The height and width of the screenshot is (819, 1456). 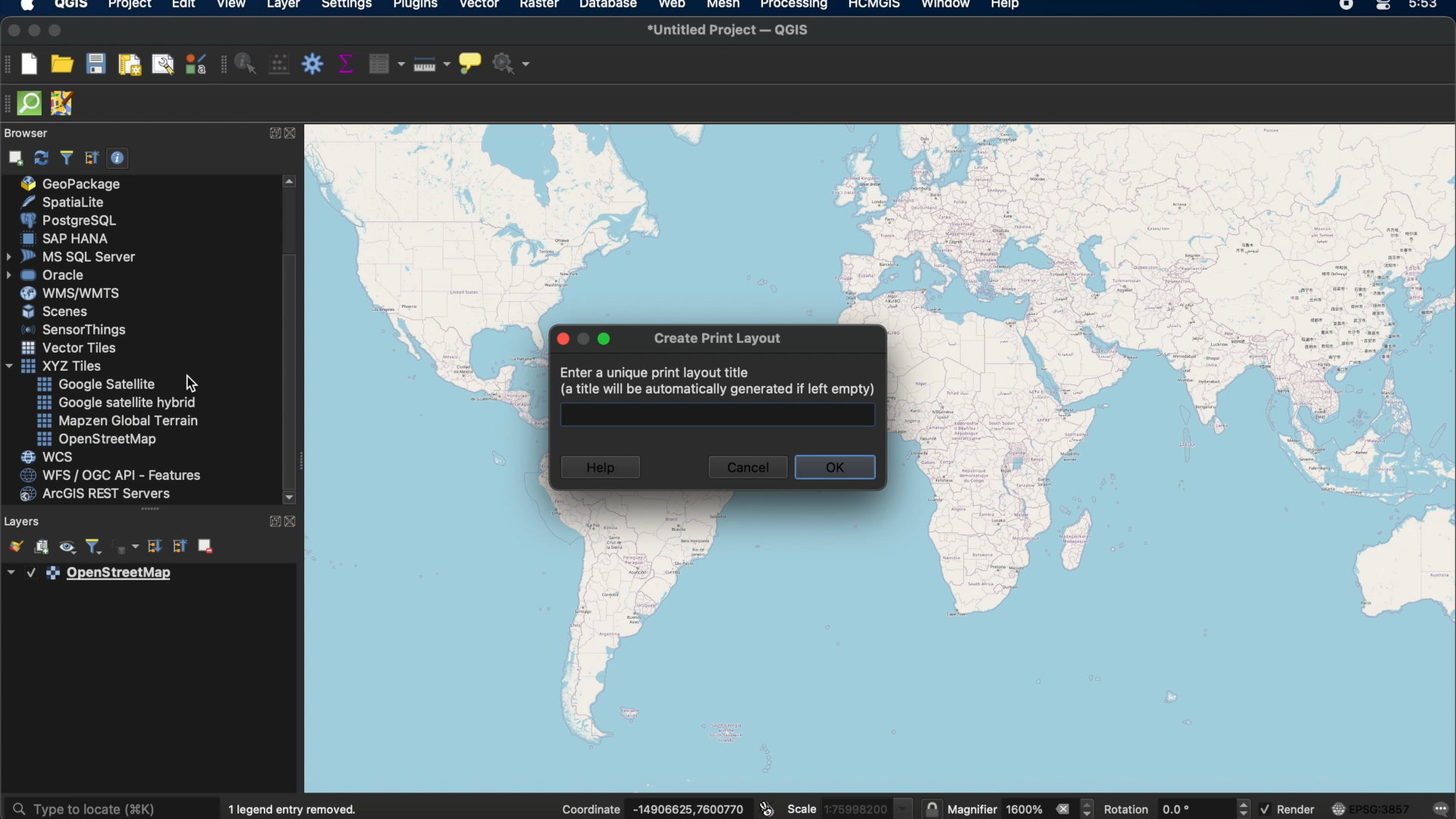 What do you see at coordinates (98, 384) in the screenshot?
I see `google satellite ` at bounding box center [98, 384].